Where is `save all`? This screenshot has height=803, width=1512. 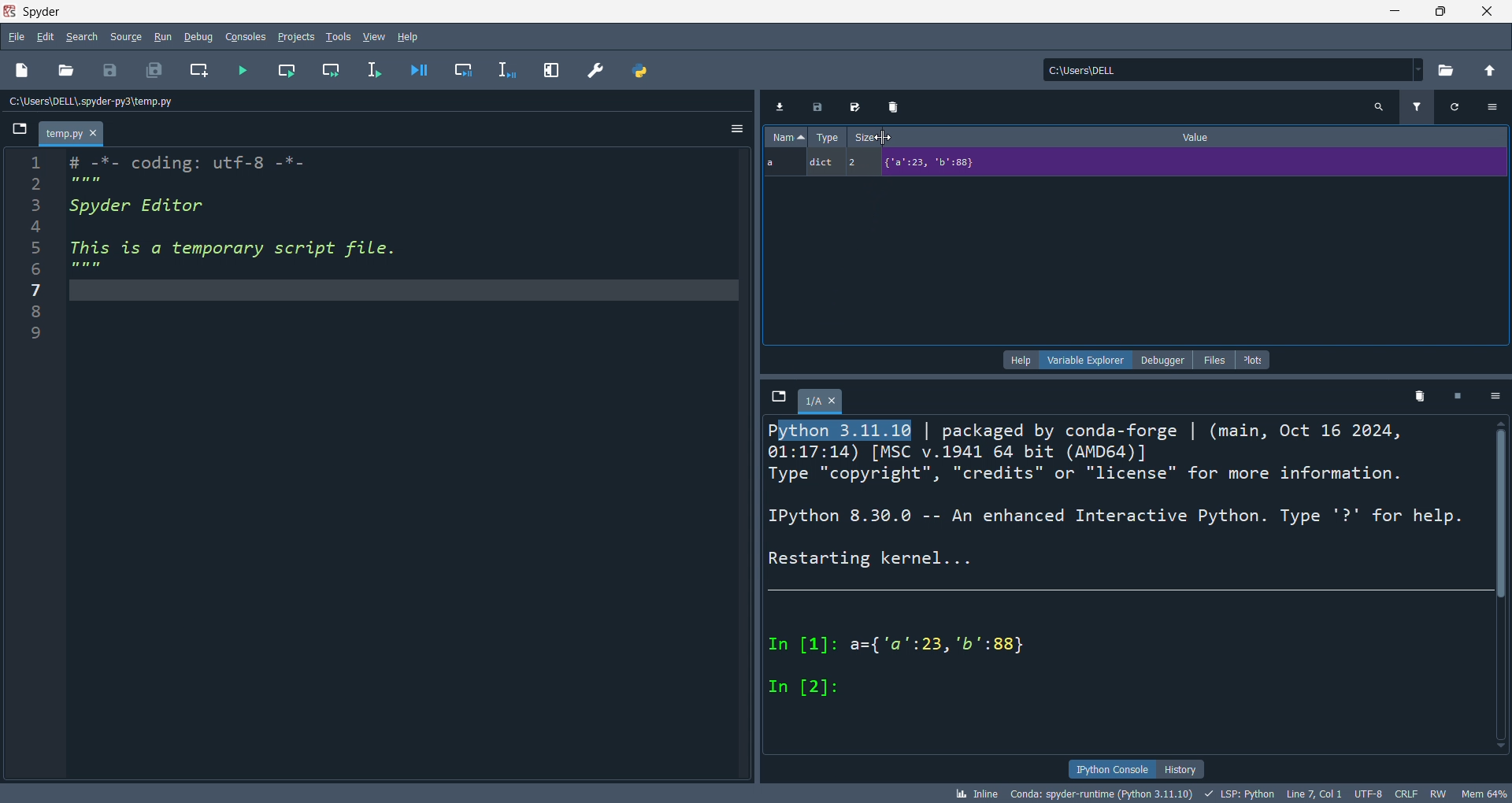 save all is located at coordinates (154, 67).